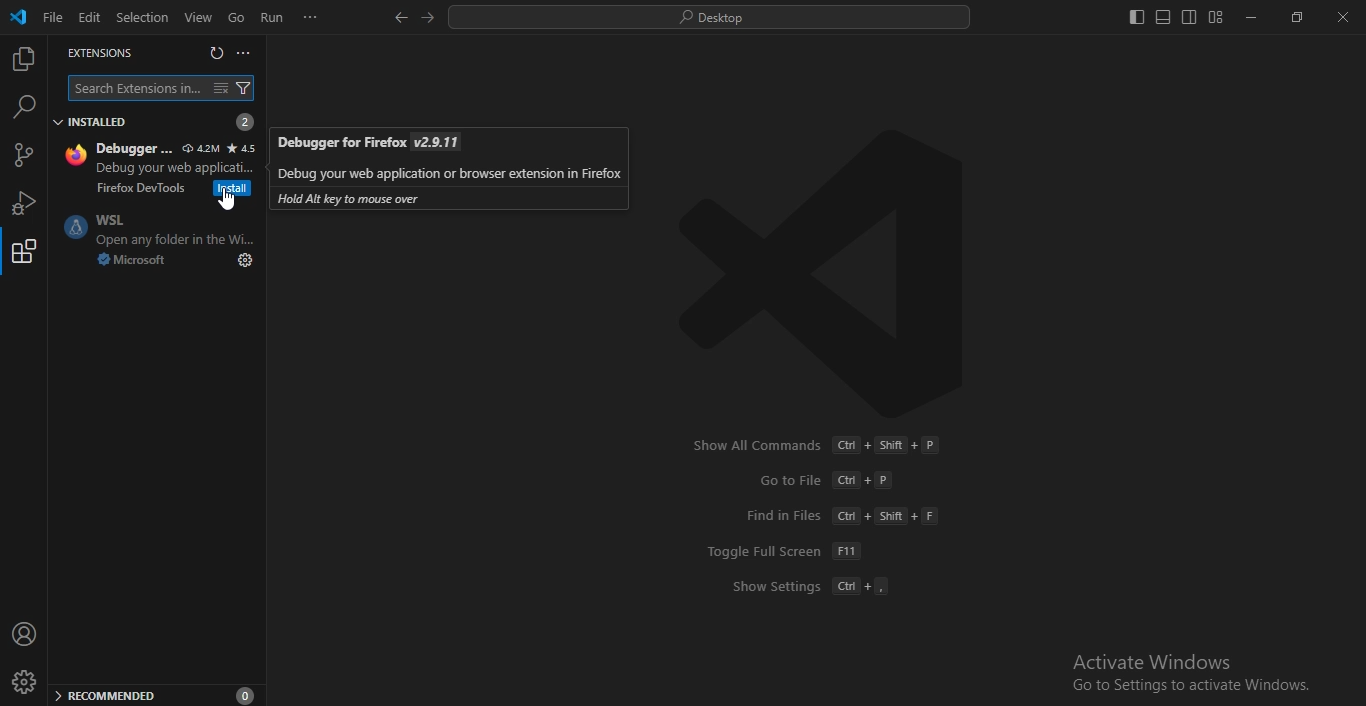 This screenshot has width=1366, height=706. What do you see at coordinates (430, 19) in the screenshot?
I see `go forward` at bounding box center [430, 19].